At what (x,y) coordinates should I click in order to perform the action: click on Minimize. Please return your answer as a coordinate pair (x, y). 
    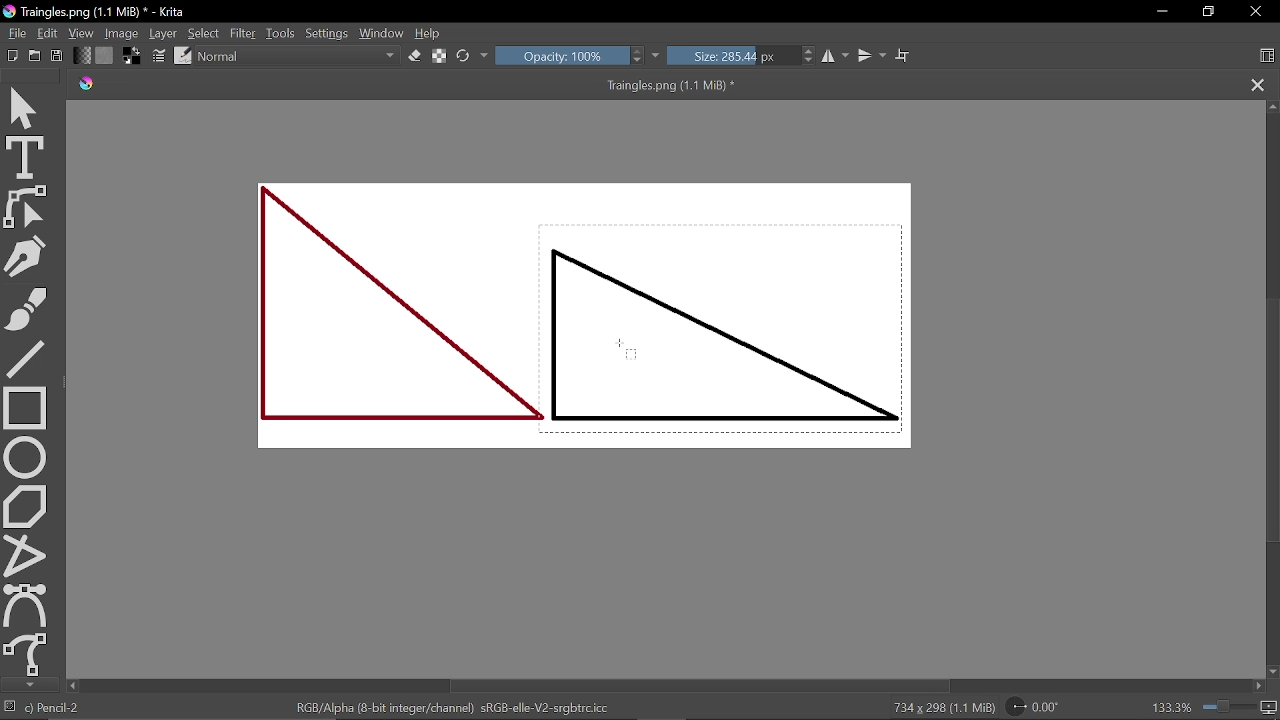
    Looking at the image, I should click on (1157, 13).